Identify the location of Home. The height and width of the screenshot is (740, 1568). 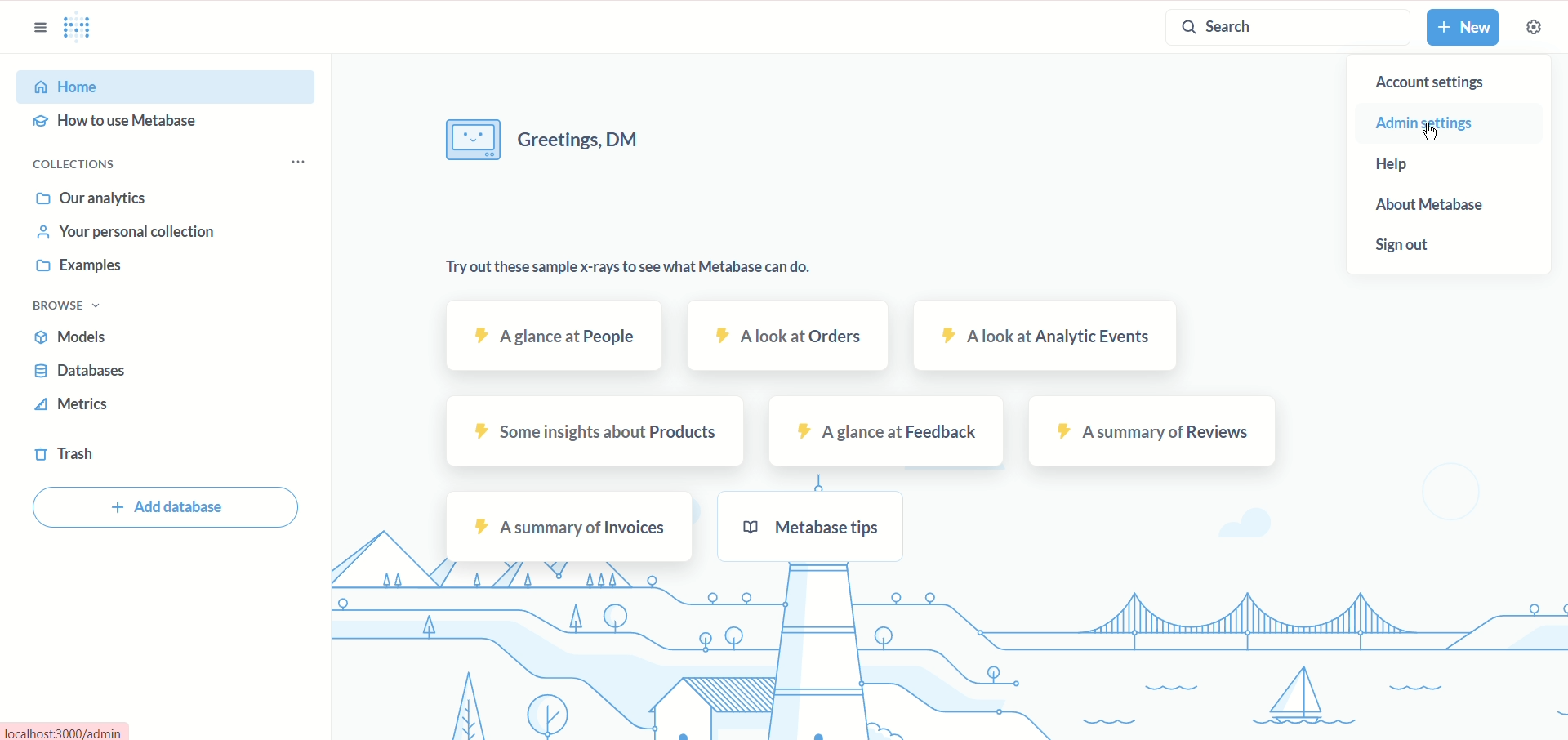
(158, 87).